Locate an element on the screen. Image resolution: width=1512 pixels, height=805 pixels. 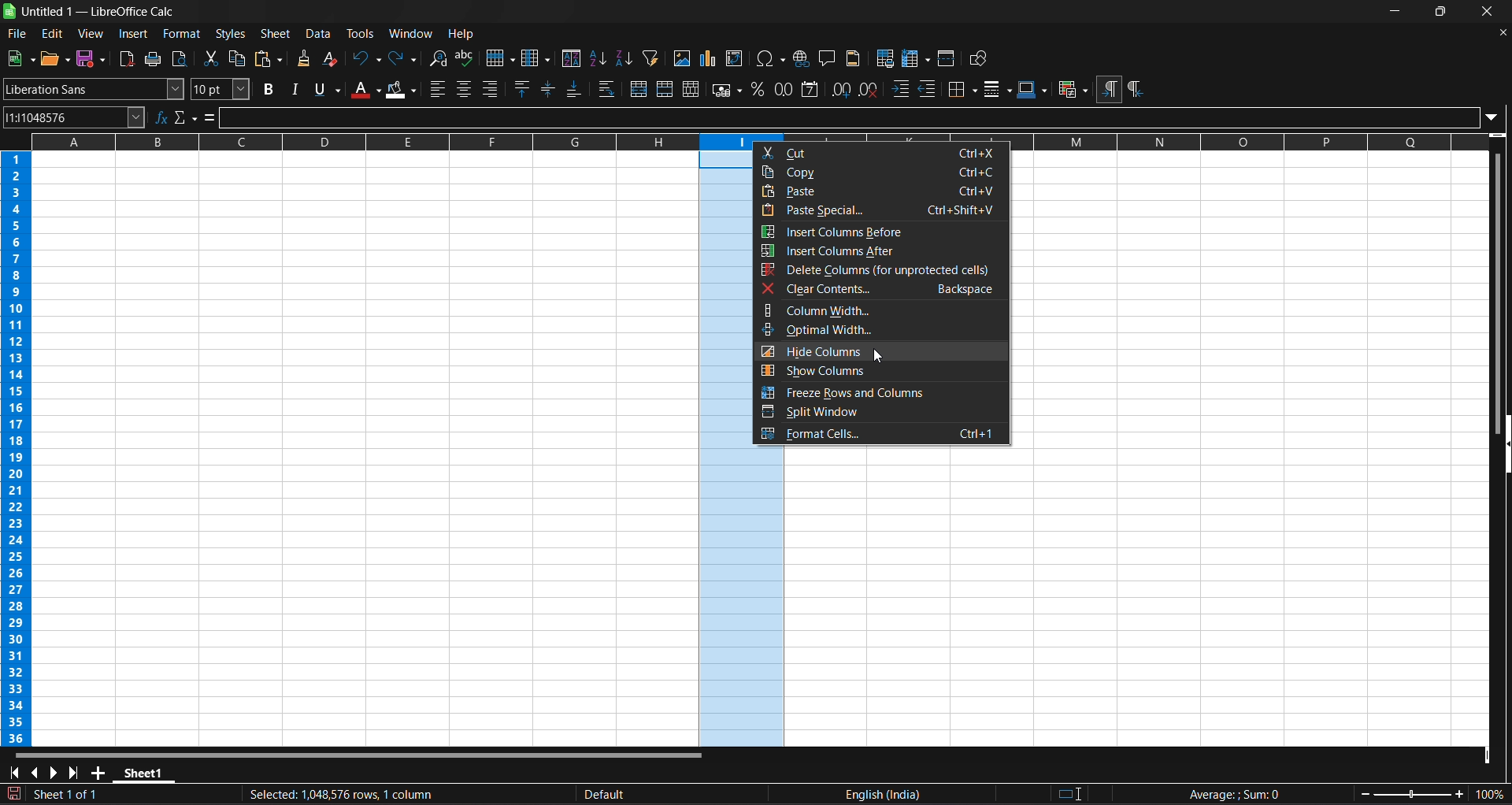
 is located at coordinates (365, 91).